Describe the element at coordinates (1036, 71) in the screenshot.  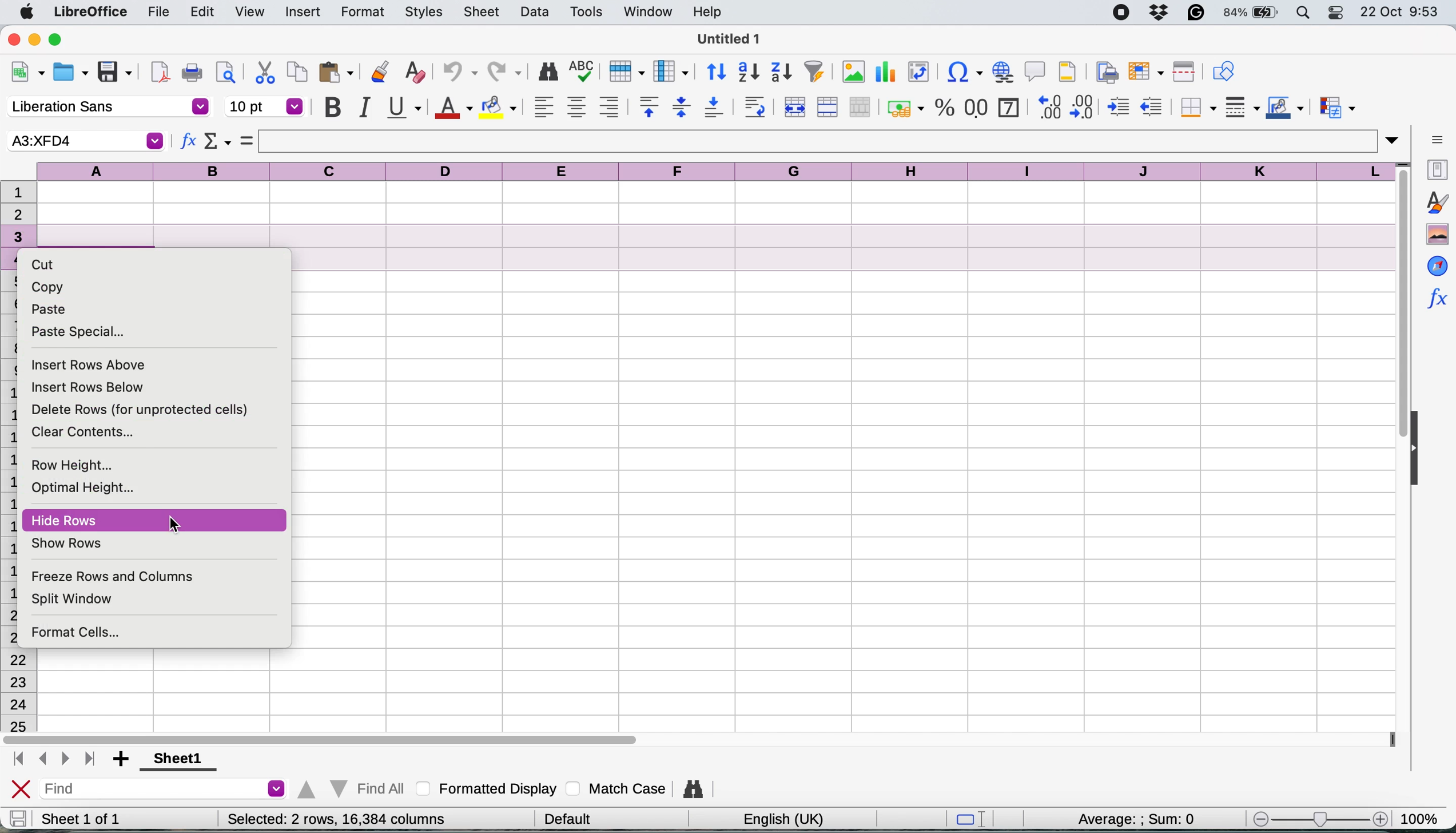
I see `insert comment` at that location.